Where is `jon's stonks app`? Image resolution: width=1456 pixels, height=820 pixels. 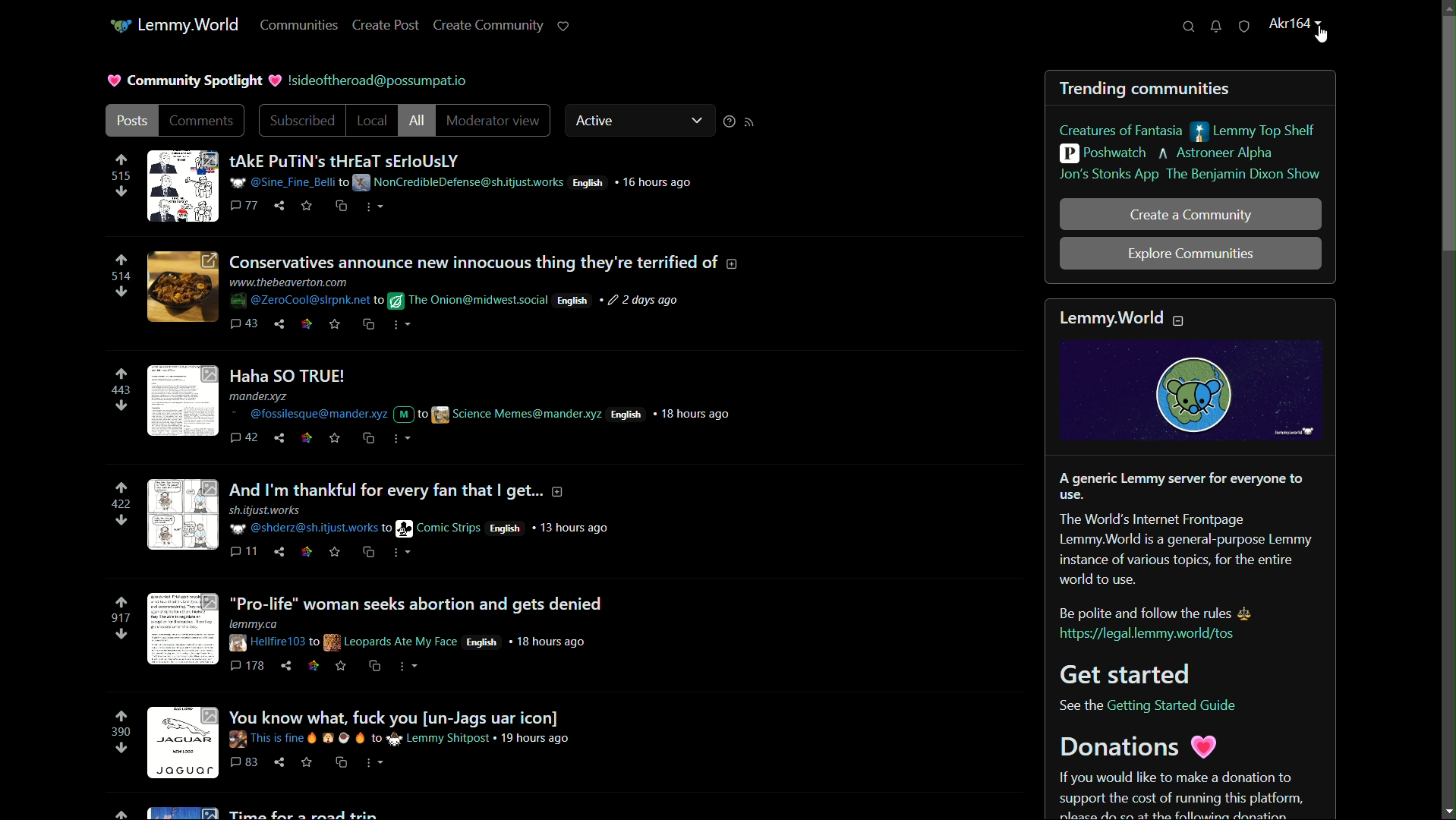
jon's stonks app is located at coordinates (1106, 175).